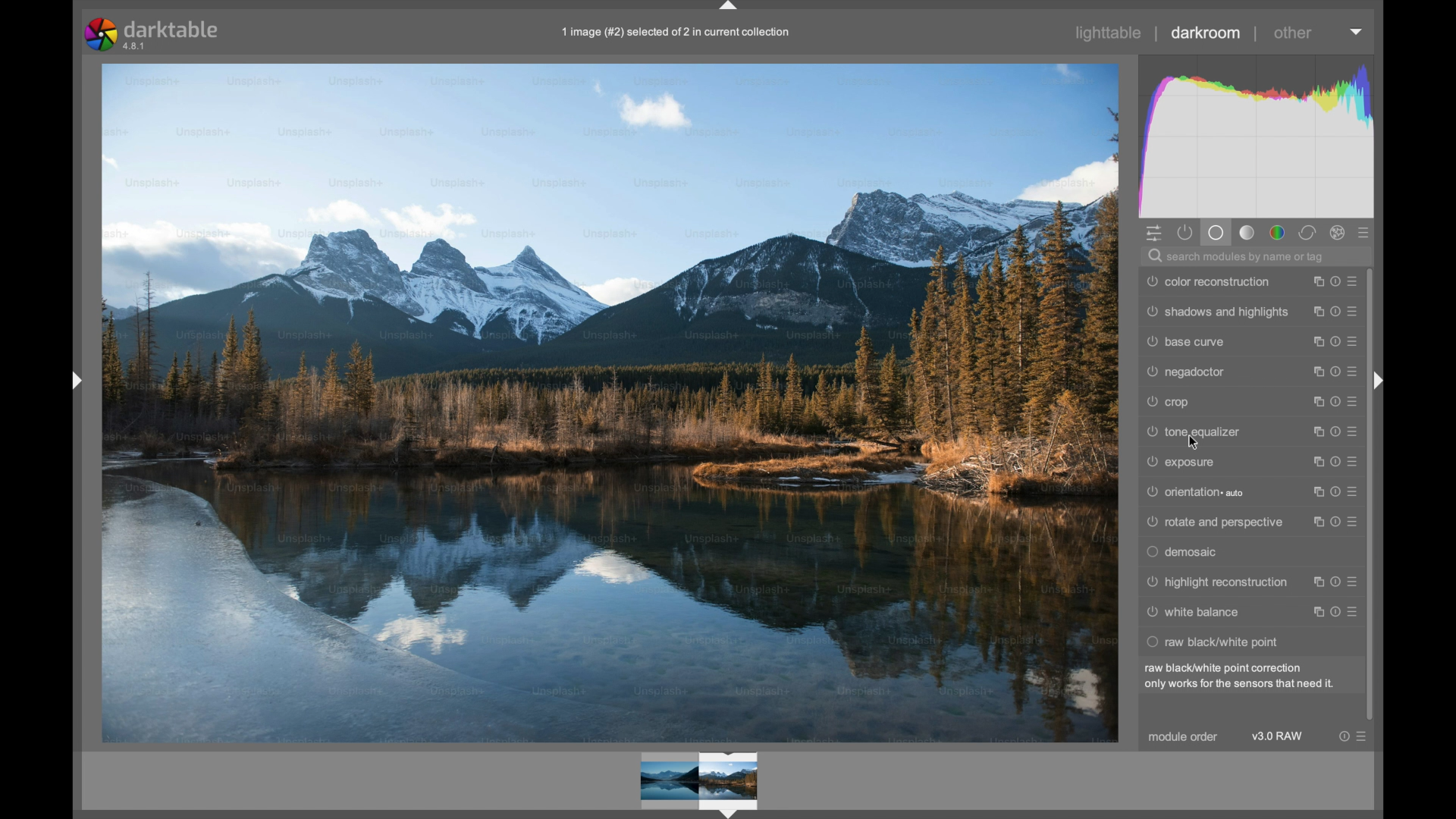 The image size is (1456, 819). What do you see at coordinates (1335, 491) in the screenshot?
I see `reset` at bounding box center [1335, 491].